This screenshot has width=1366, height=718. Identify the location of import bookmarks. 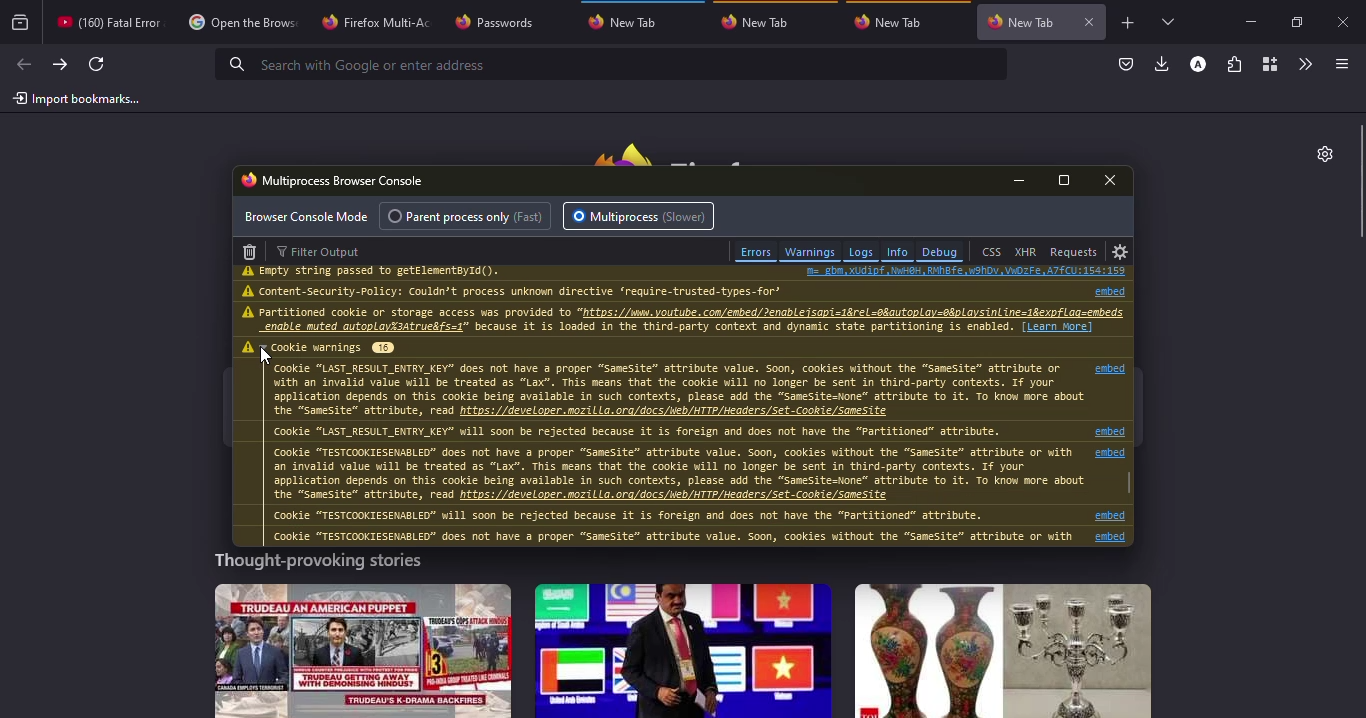
(77, 99).